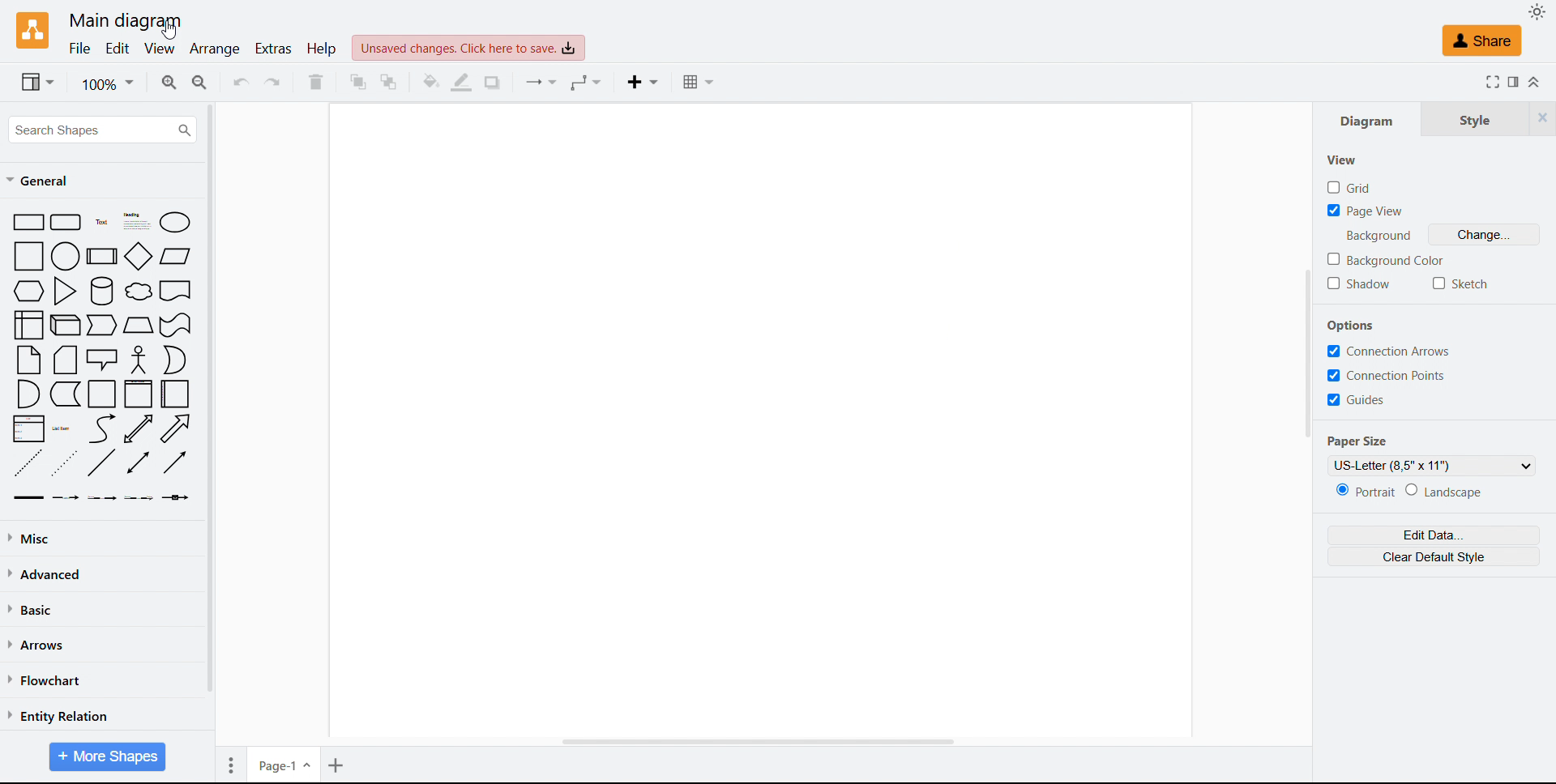  I want to click on Paper size , so click(1358, 441).